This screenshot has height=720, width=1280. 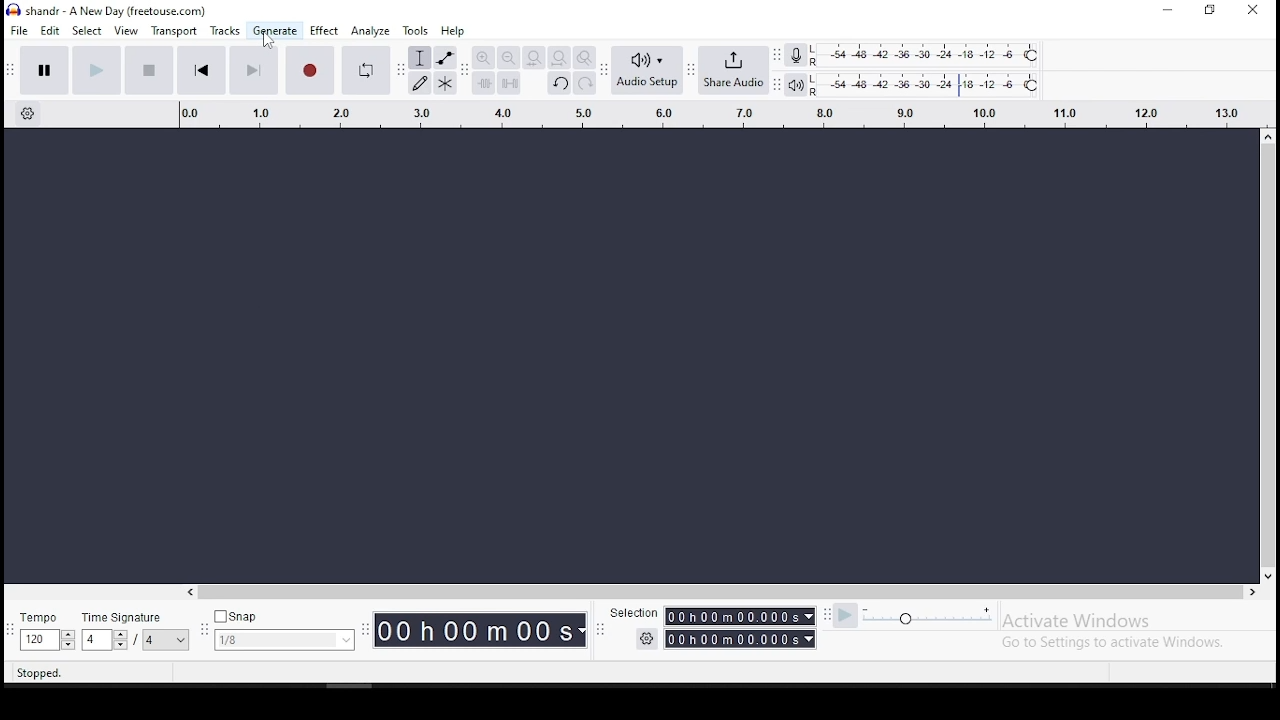 I want to click on view, so click(x=125, y=31).